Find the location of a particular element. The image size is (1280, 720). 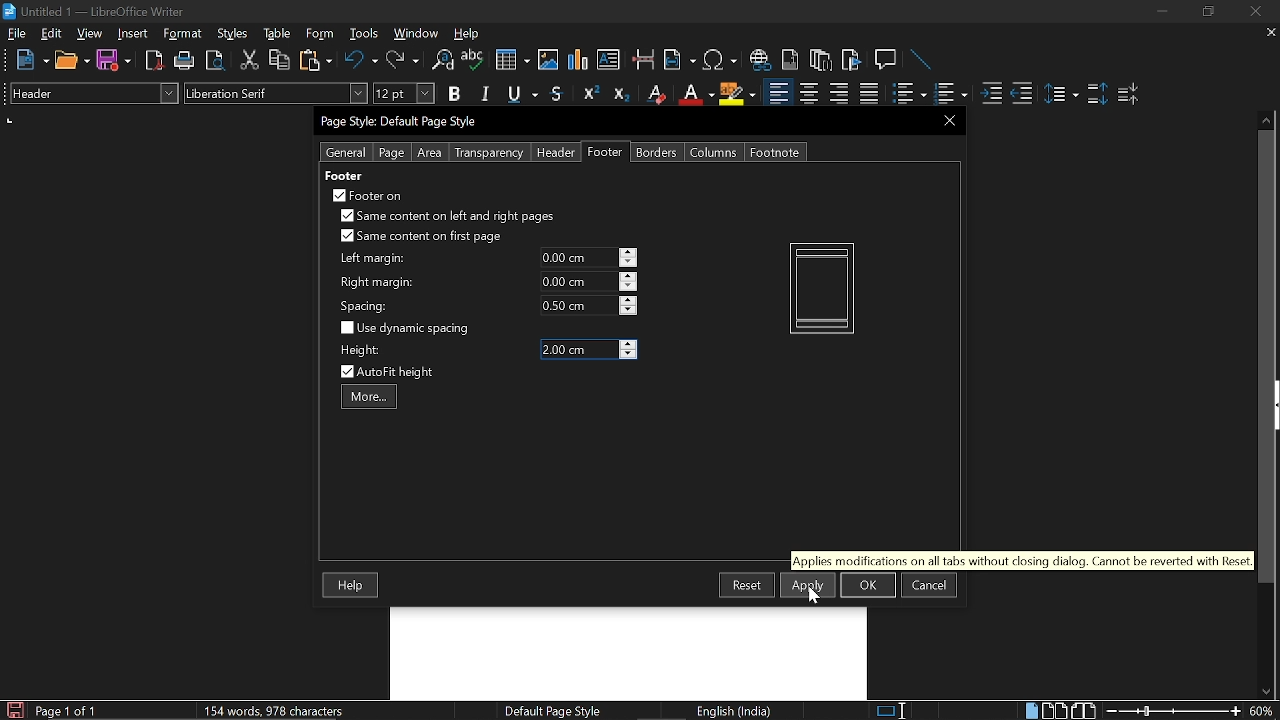

Resest is located at coordinates (747, 584).